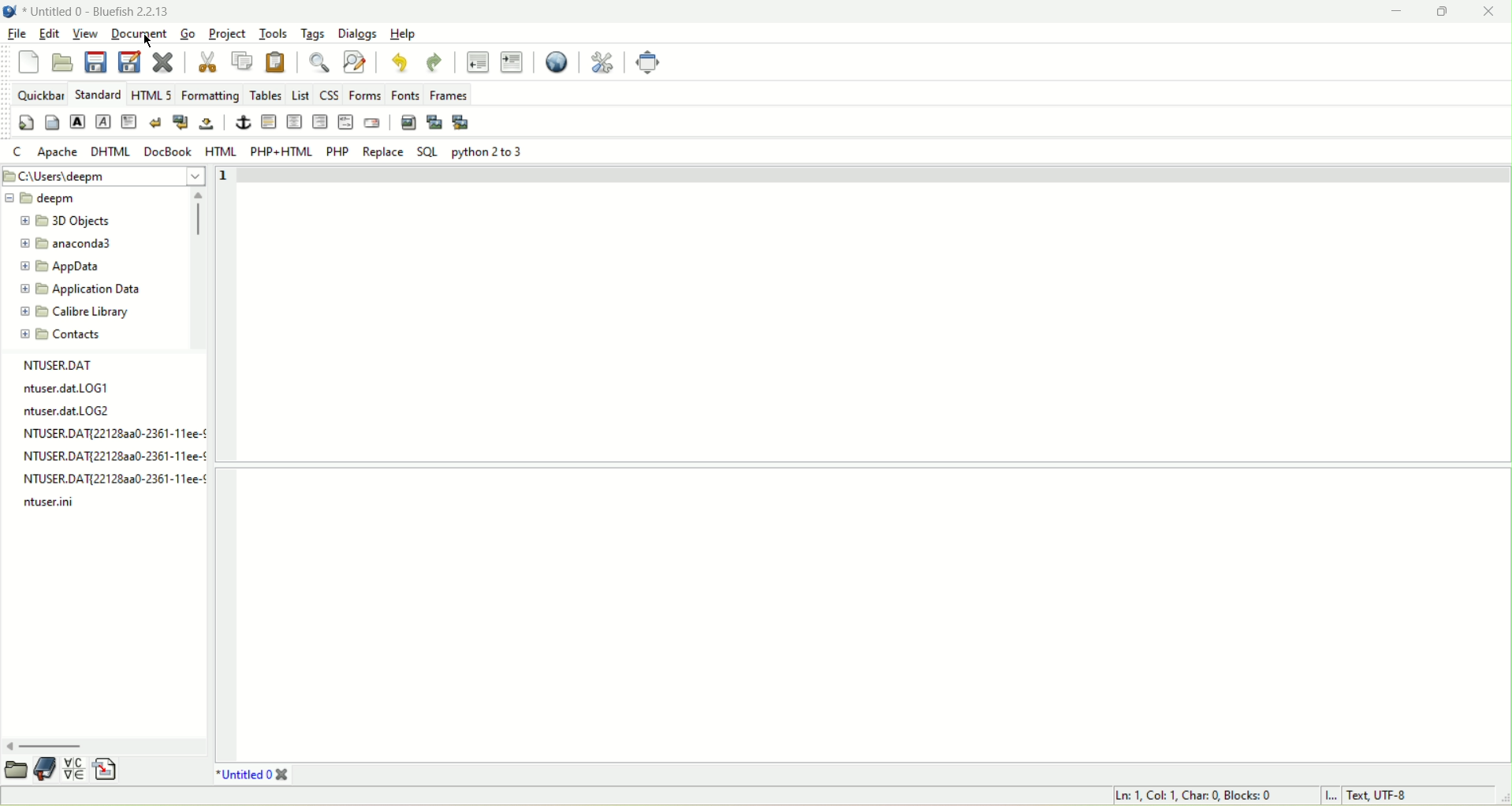  What do you see at coordinates (300, 94) in the screenshot?
I see `list` at bounding box center [300, 94].